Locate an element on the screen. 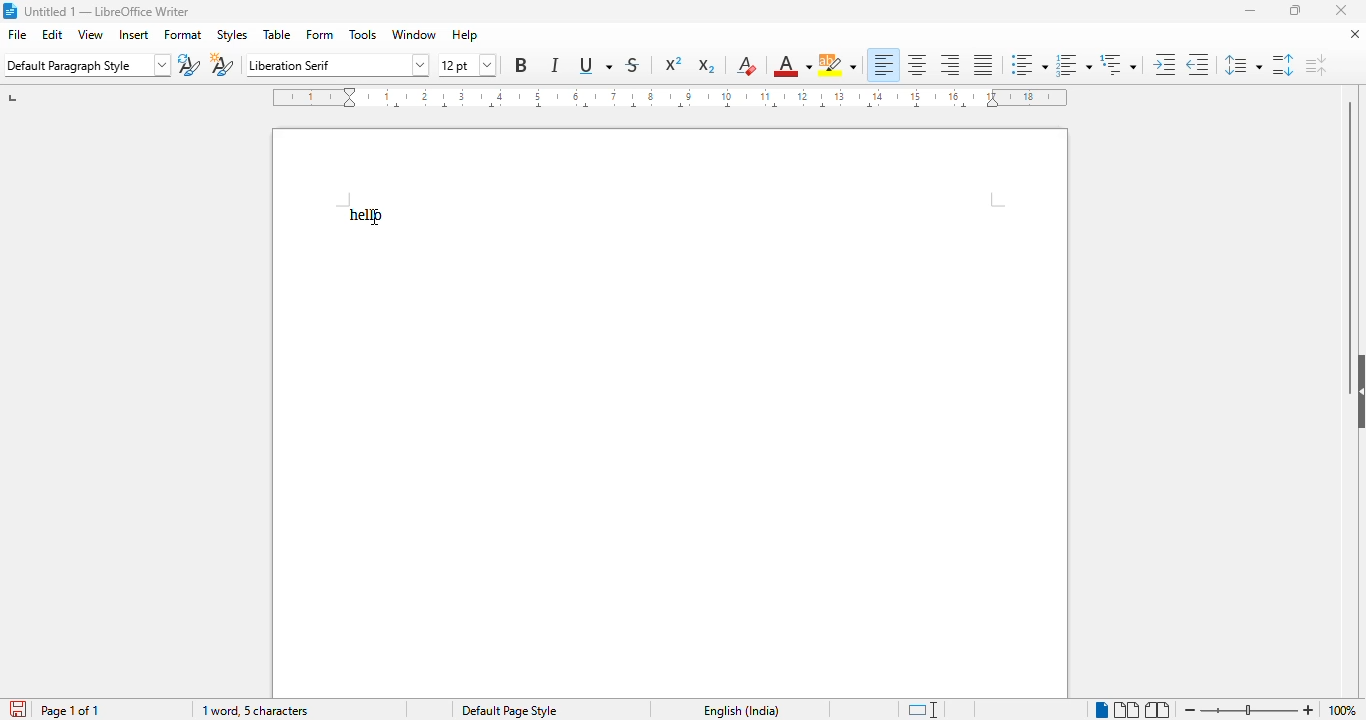 The image size is (1366, 720). close is located at coordinates (1355, 33).